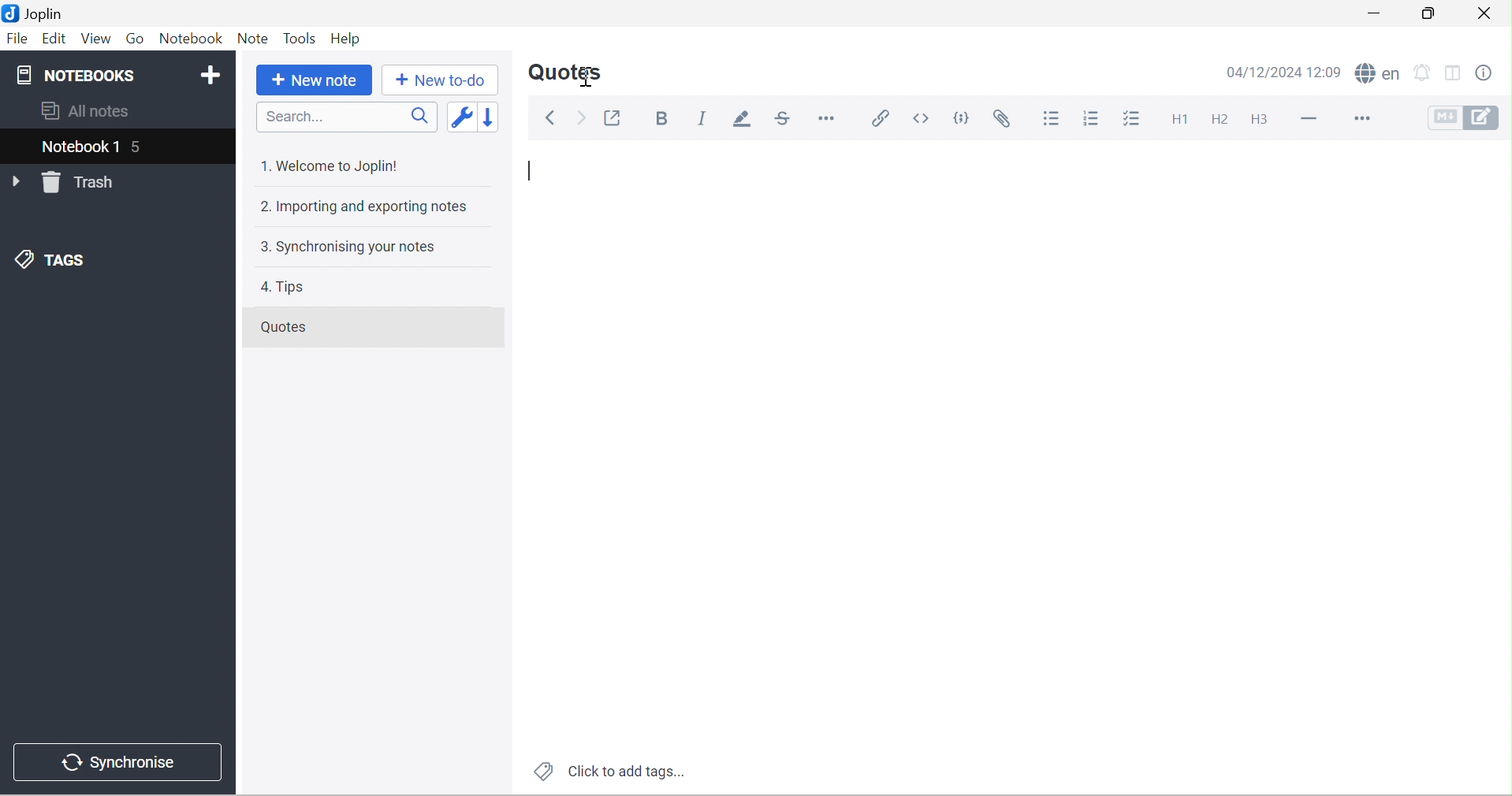 The image size is (1512, 796). Describe the element at coordinates (367, 205) in the screenshot. I see `2. Importing and exporting notes` at that location.